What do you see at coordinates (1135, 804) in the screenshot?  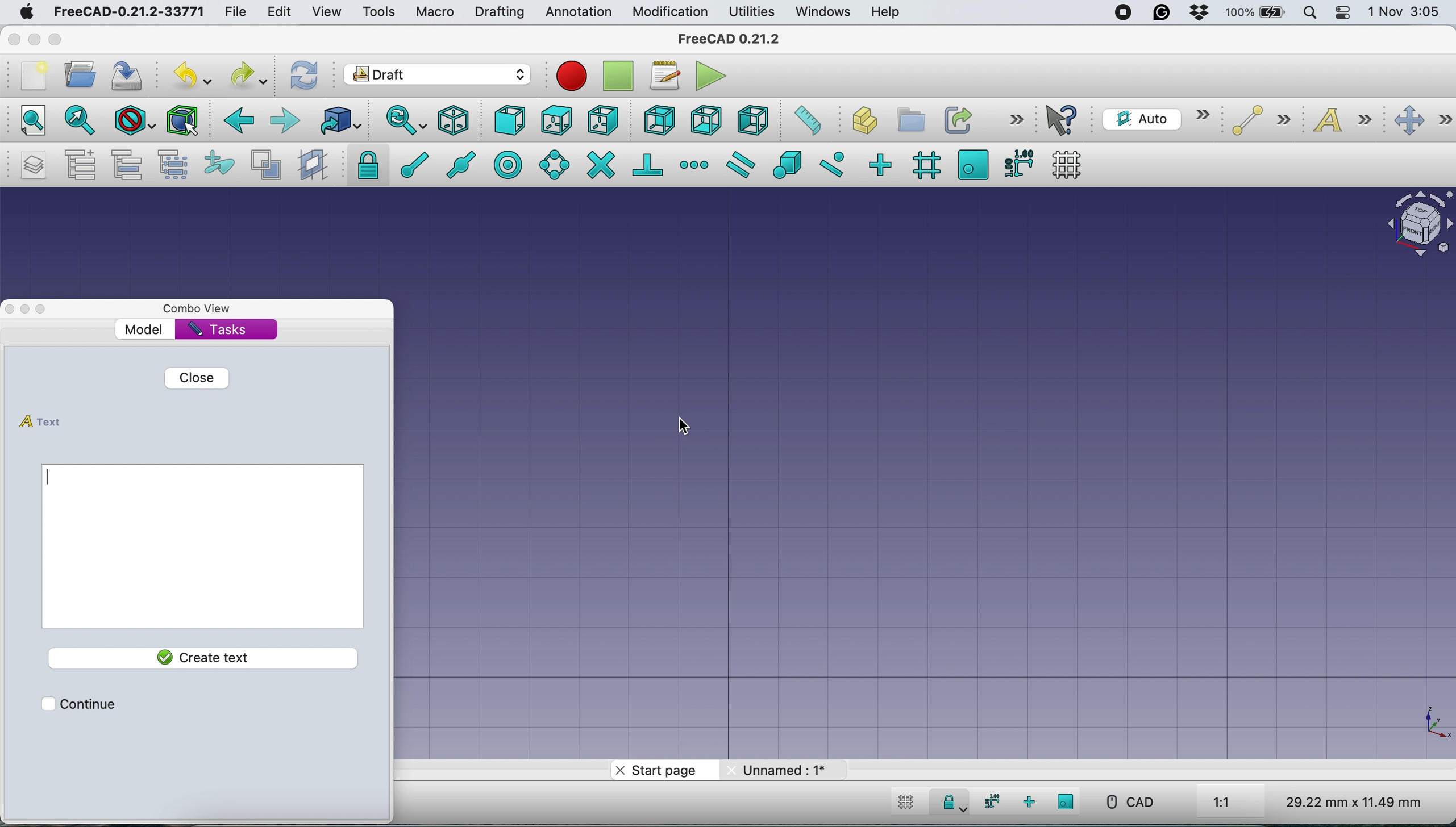 I see `cad` at bounding box center [1135, 804].